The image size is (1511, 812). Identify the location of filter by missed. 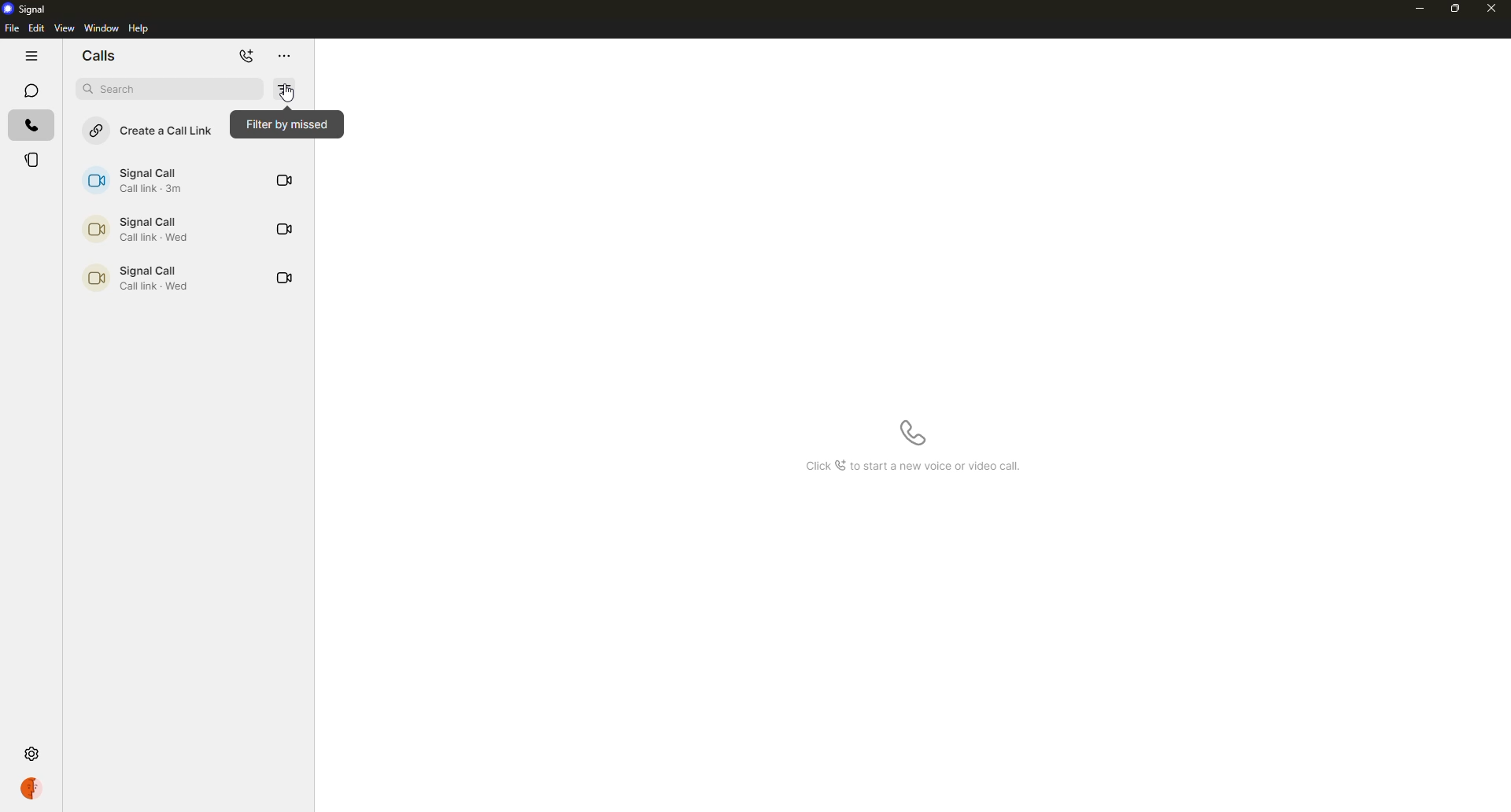
(289, 92).